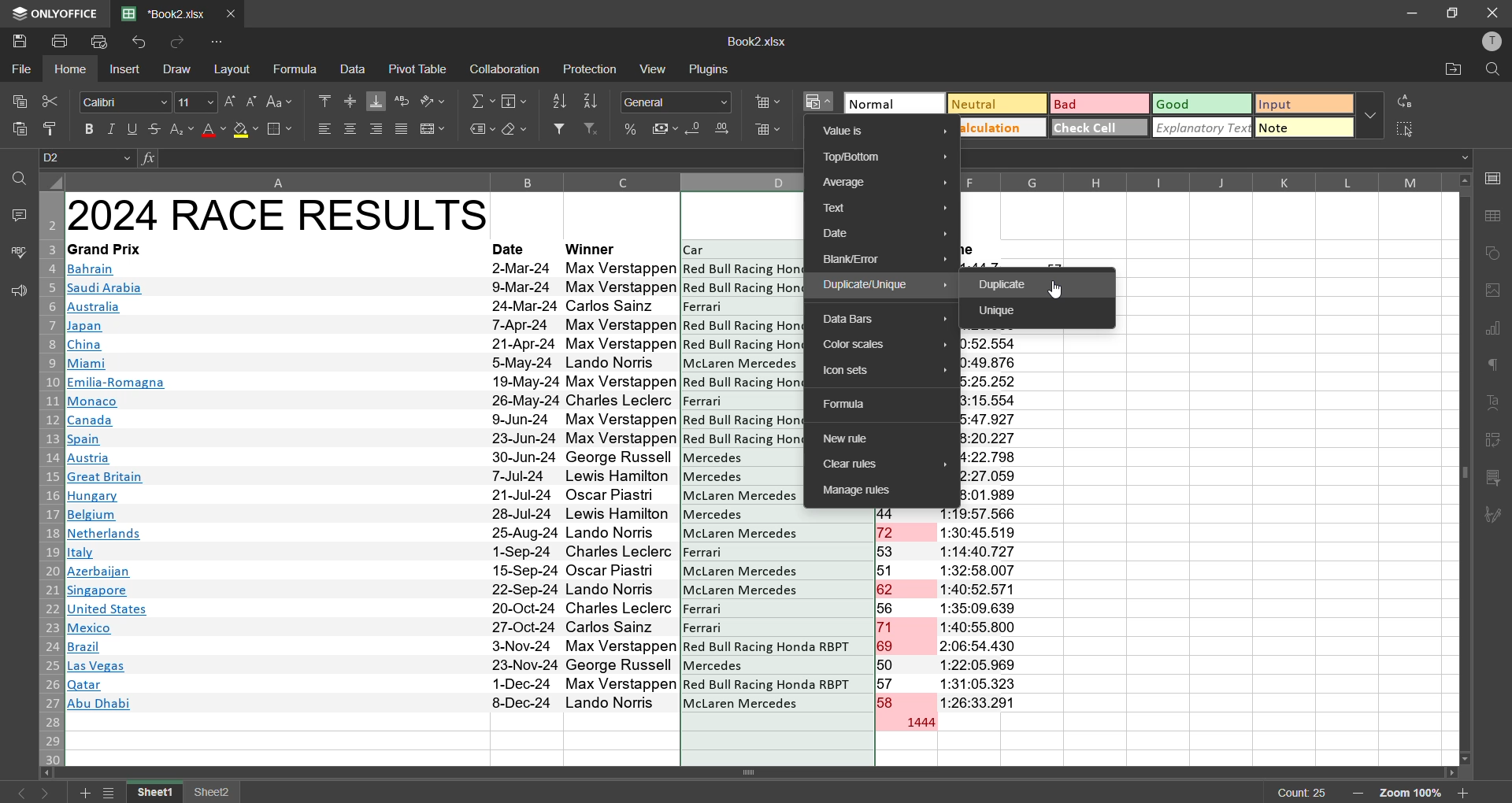 This screenshot has width=1512, height=803. Describe the element at coordinates (1495, 253) in the screenshot. I see `shapes` at that location.